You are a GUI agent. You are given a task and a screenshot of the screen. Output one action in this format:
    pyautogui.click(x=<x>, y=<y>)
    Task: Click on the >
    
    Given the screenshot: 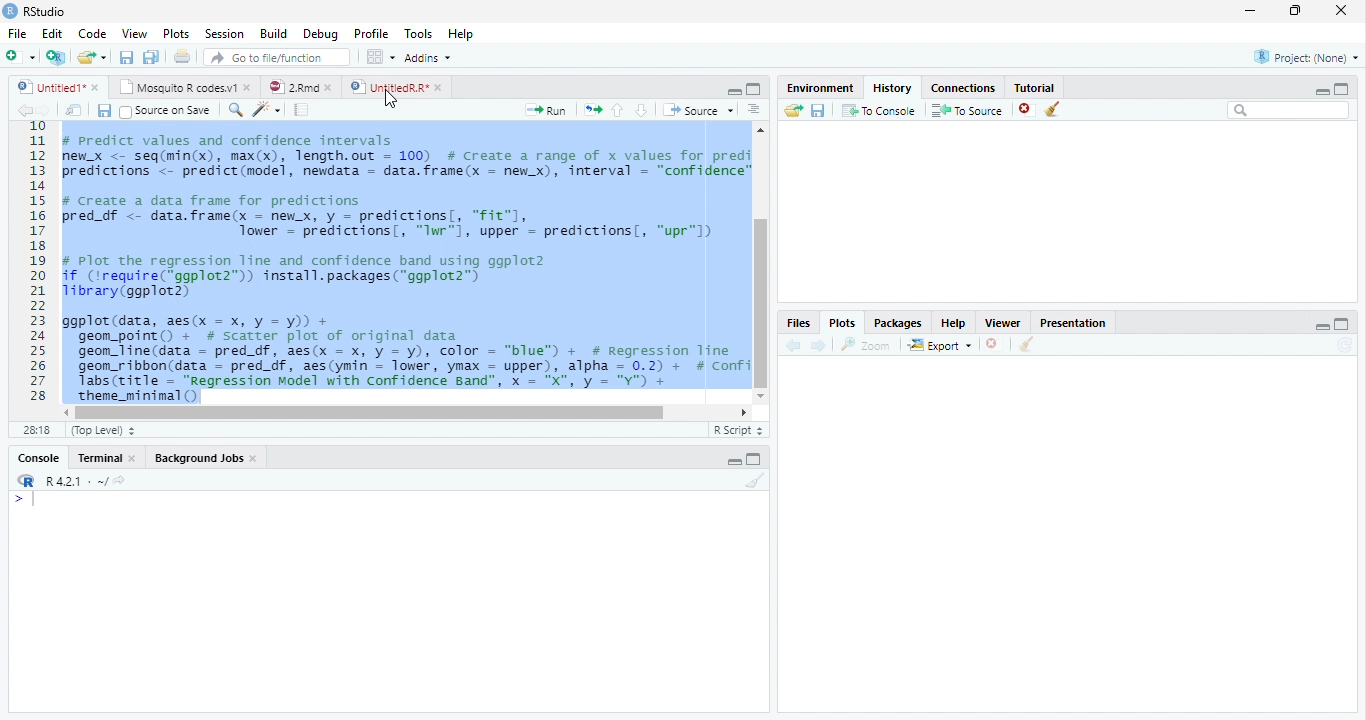 What is the action you would take?
    pyautogui.click(x=15, y=500)
    